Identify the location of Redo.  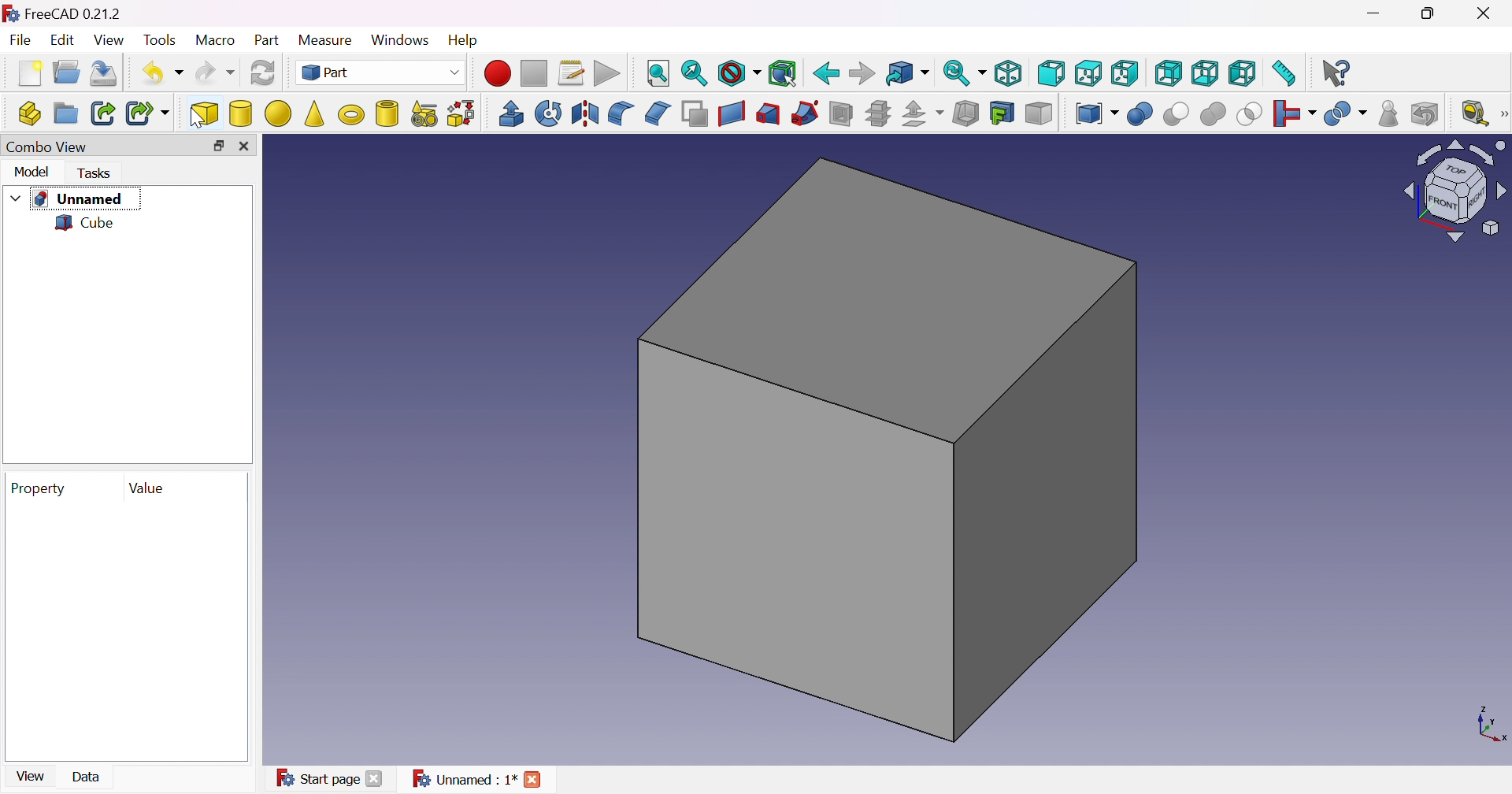
(213, 76).